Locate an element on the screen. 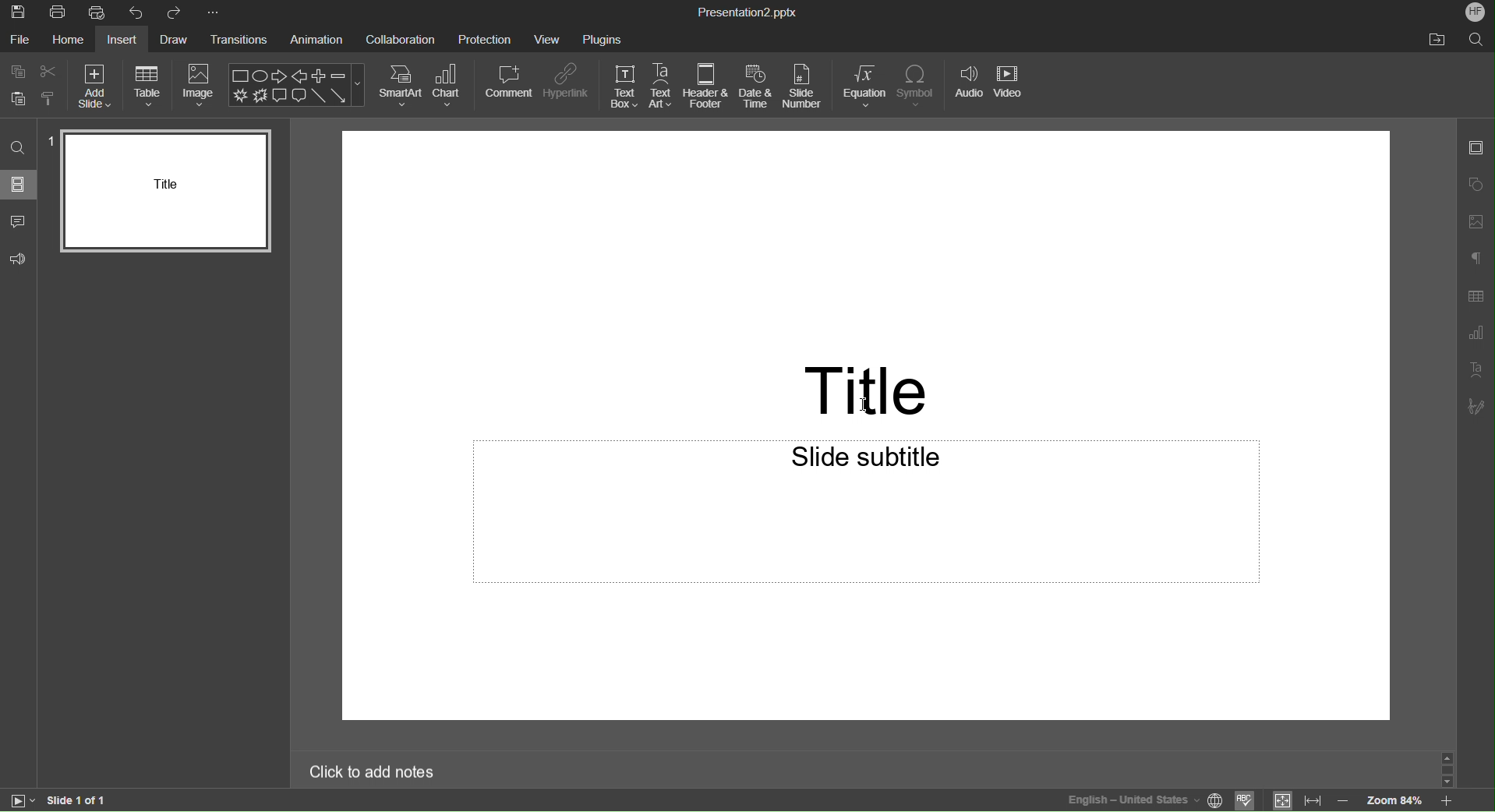 The height and width of the screenshot is (812, 1495). Chart is located at coordinates (450, 86).